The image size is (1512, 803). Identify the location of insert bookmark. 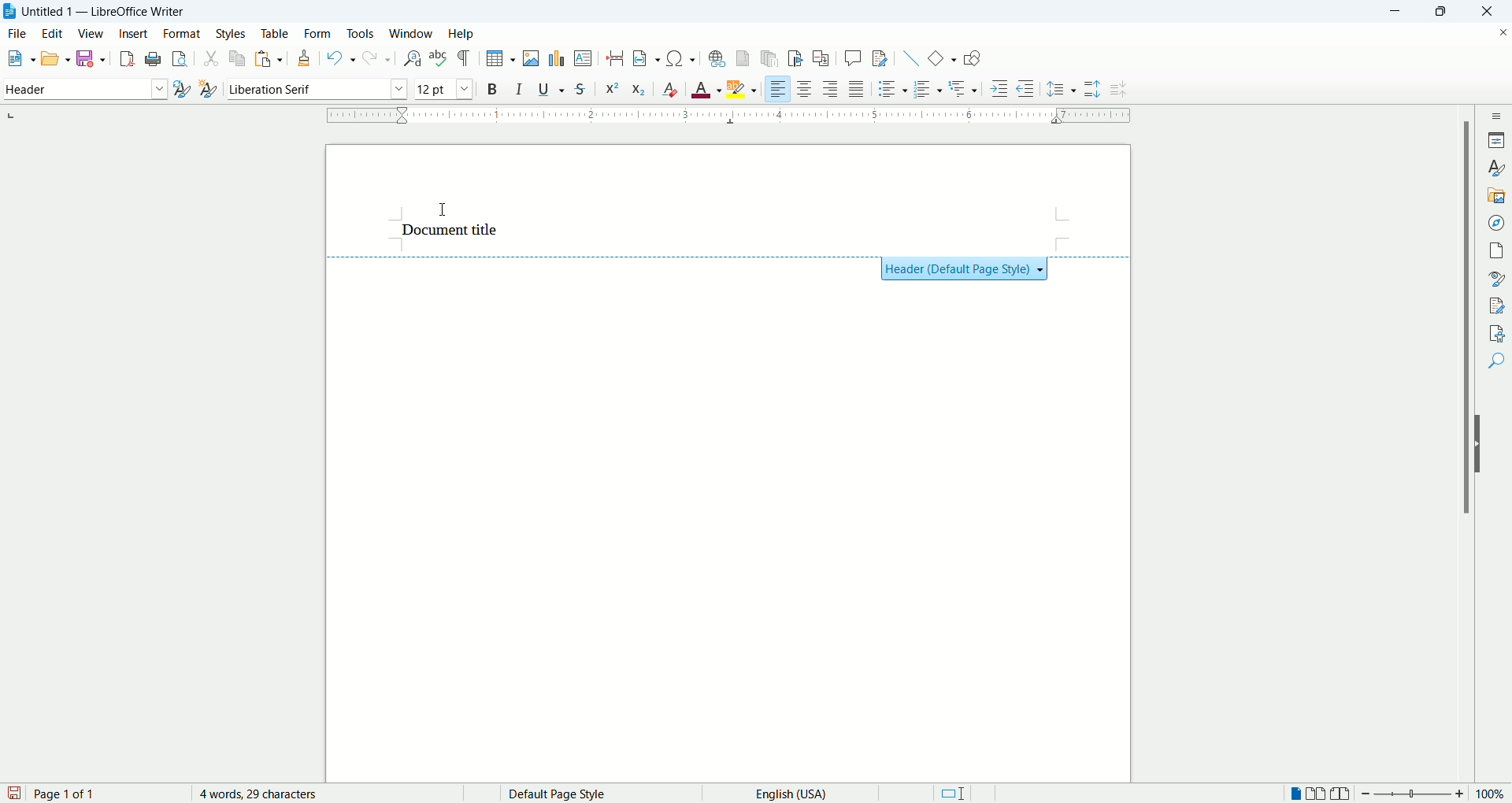
(796, 57).